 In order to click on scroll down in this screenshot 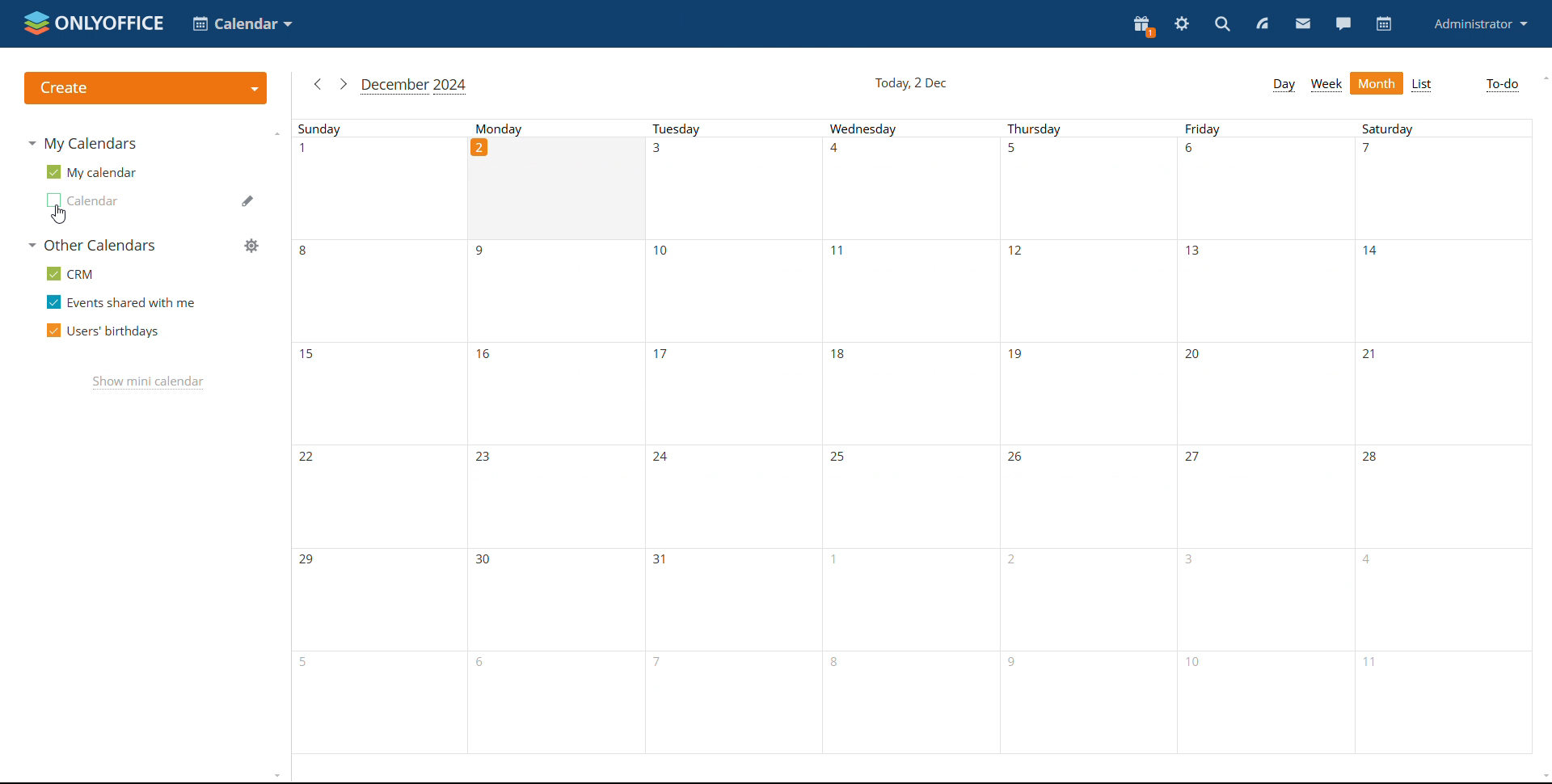, I will do `click(1542, 777)`.